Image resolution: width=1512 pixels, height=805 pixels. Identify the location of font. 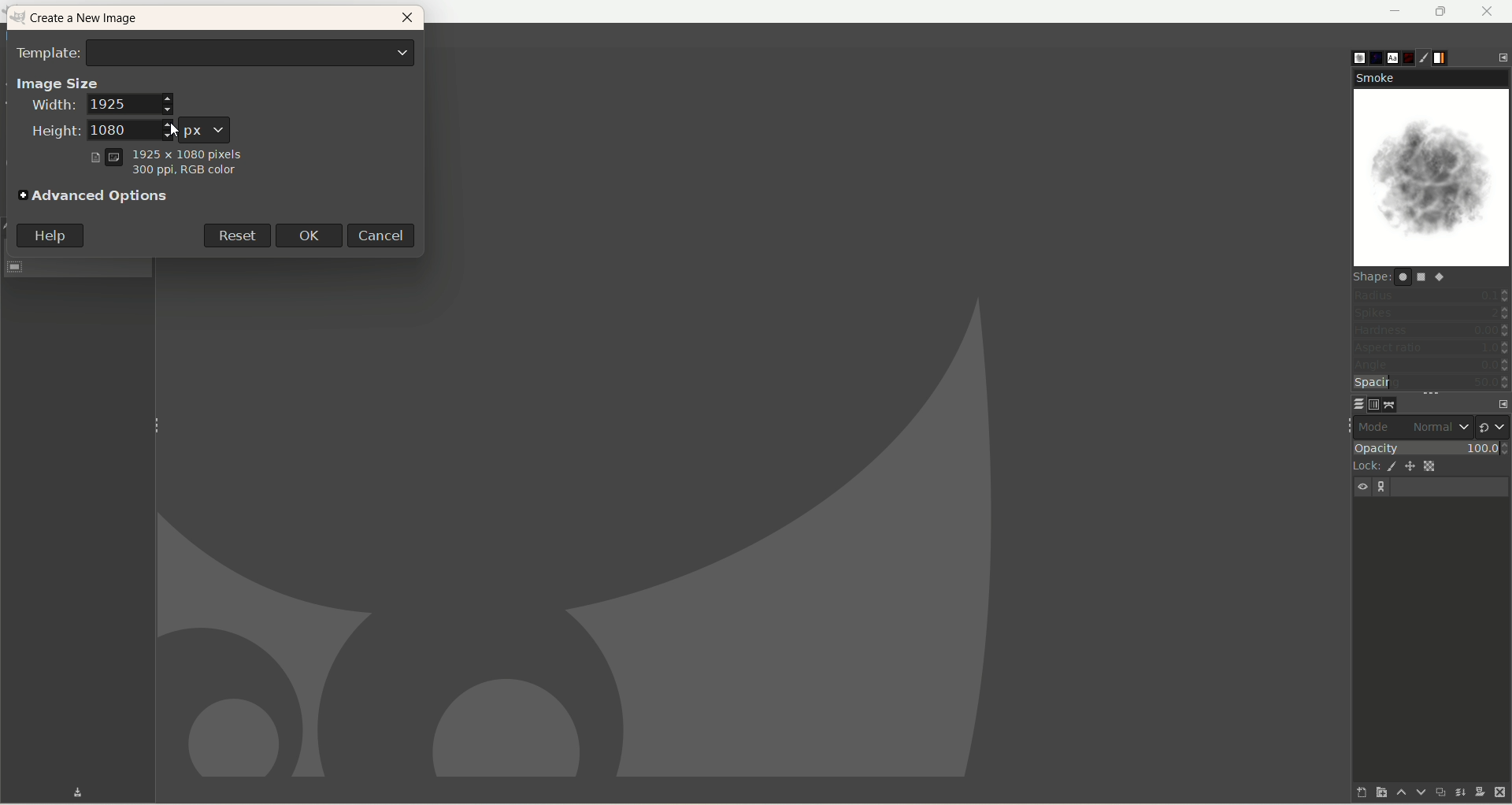
(1389, 57).